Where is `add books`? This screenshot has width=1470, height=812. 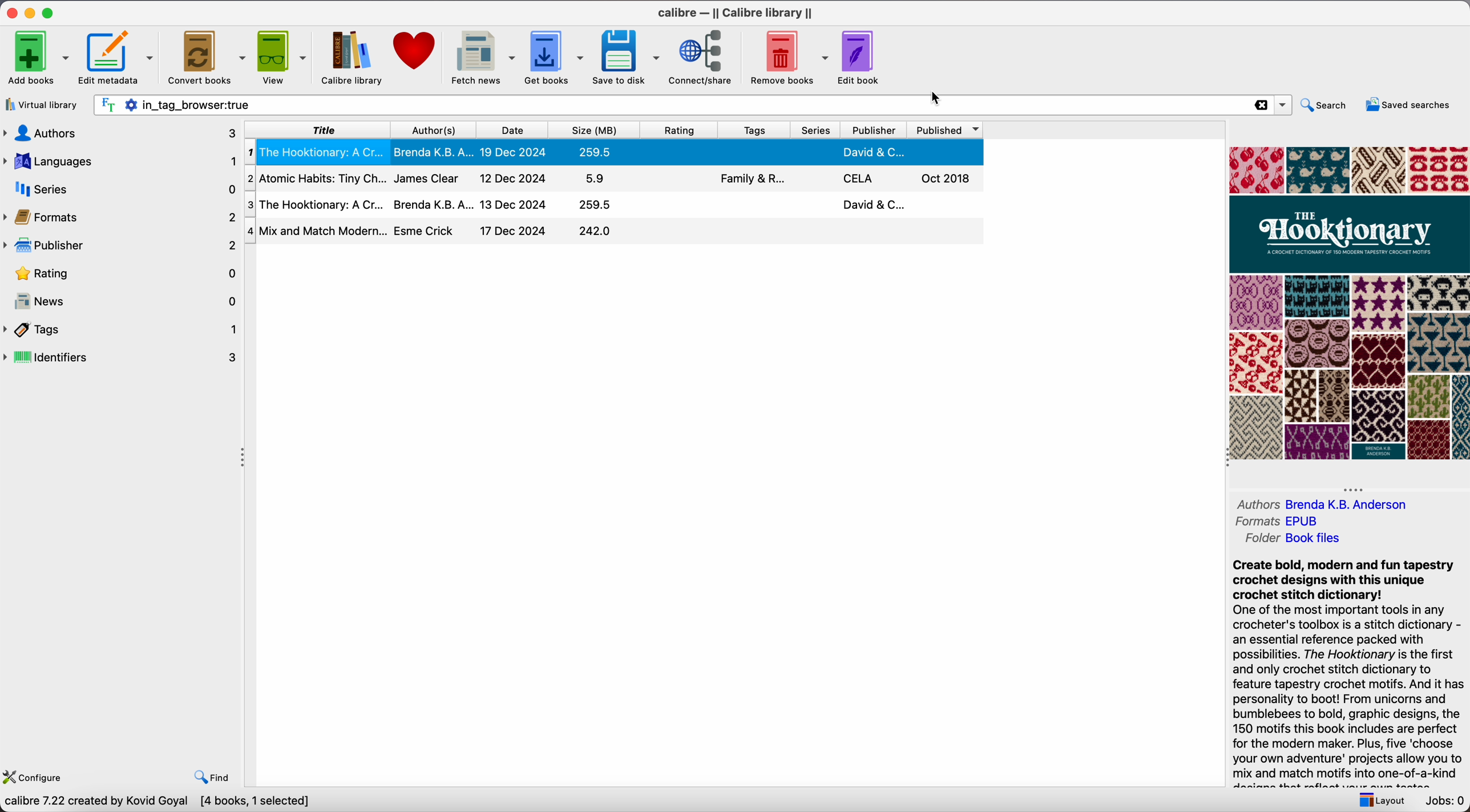 add books is located at coordinates (37, 59).